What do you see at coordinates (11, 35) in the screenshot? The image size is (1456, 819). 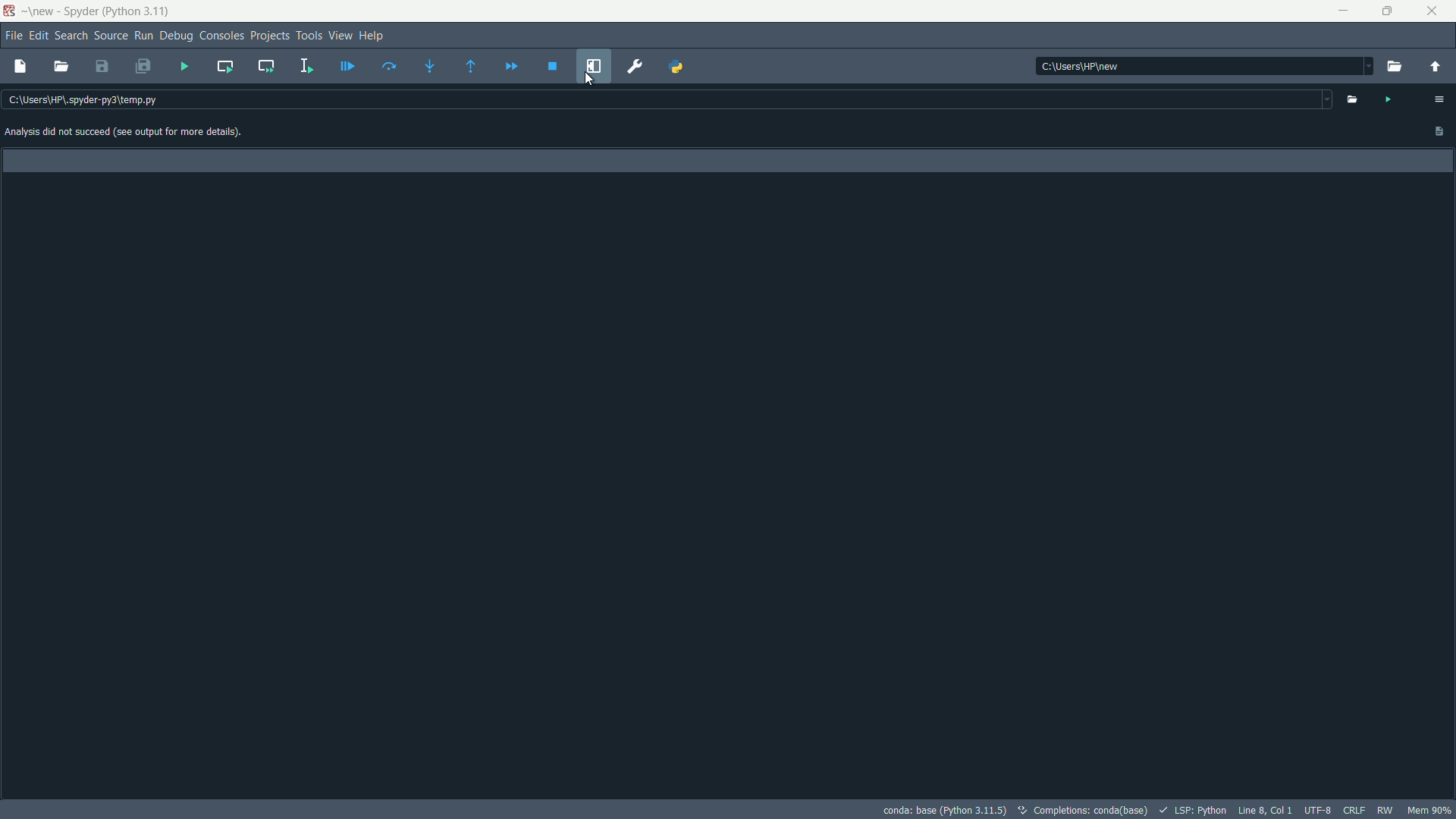 I see `file menu` at bounding box center [11, 35].